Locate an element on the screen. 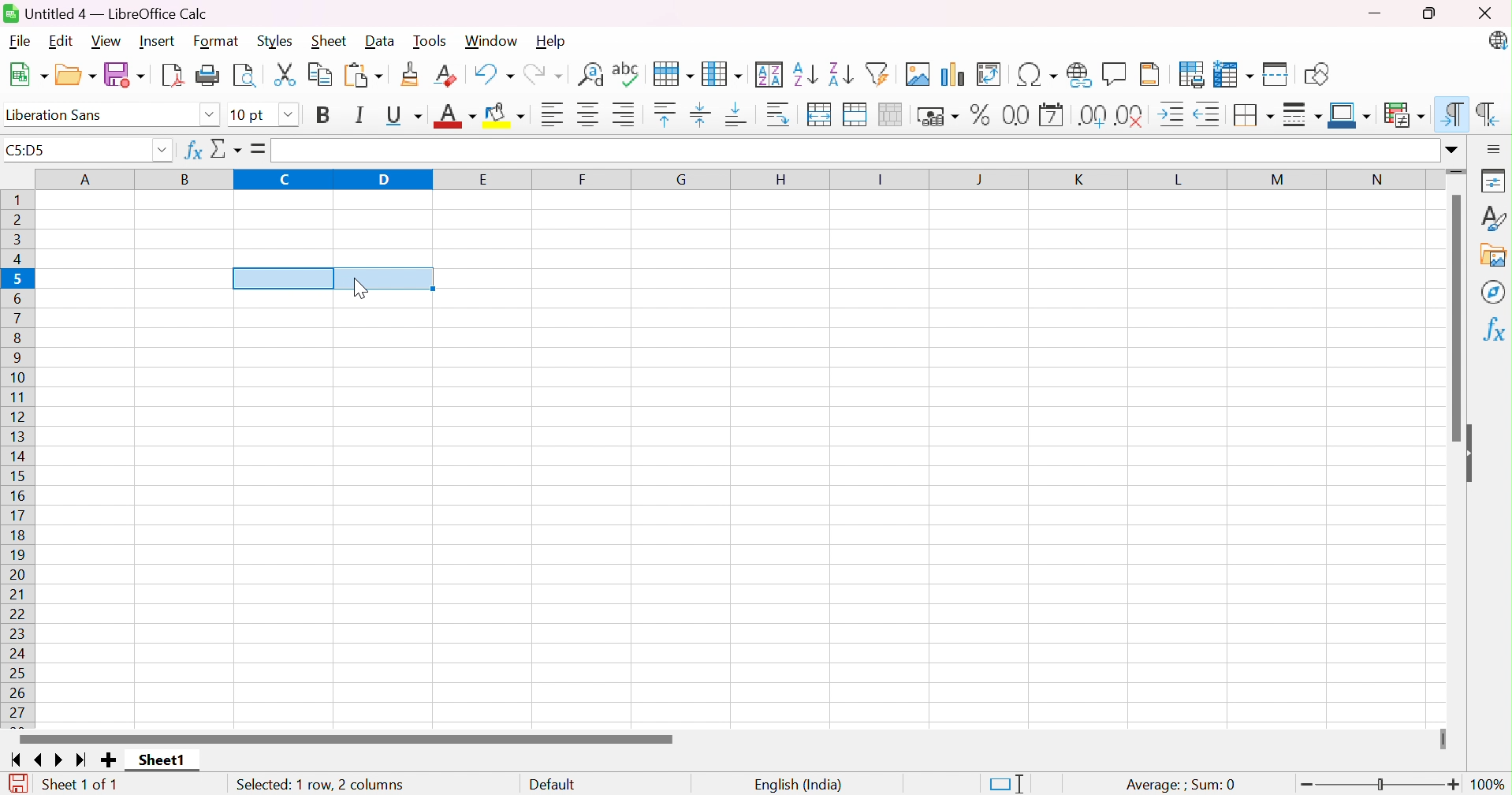  Edit is located at coordinates (60, 42).